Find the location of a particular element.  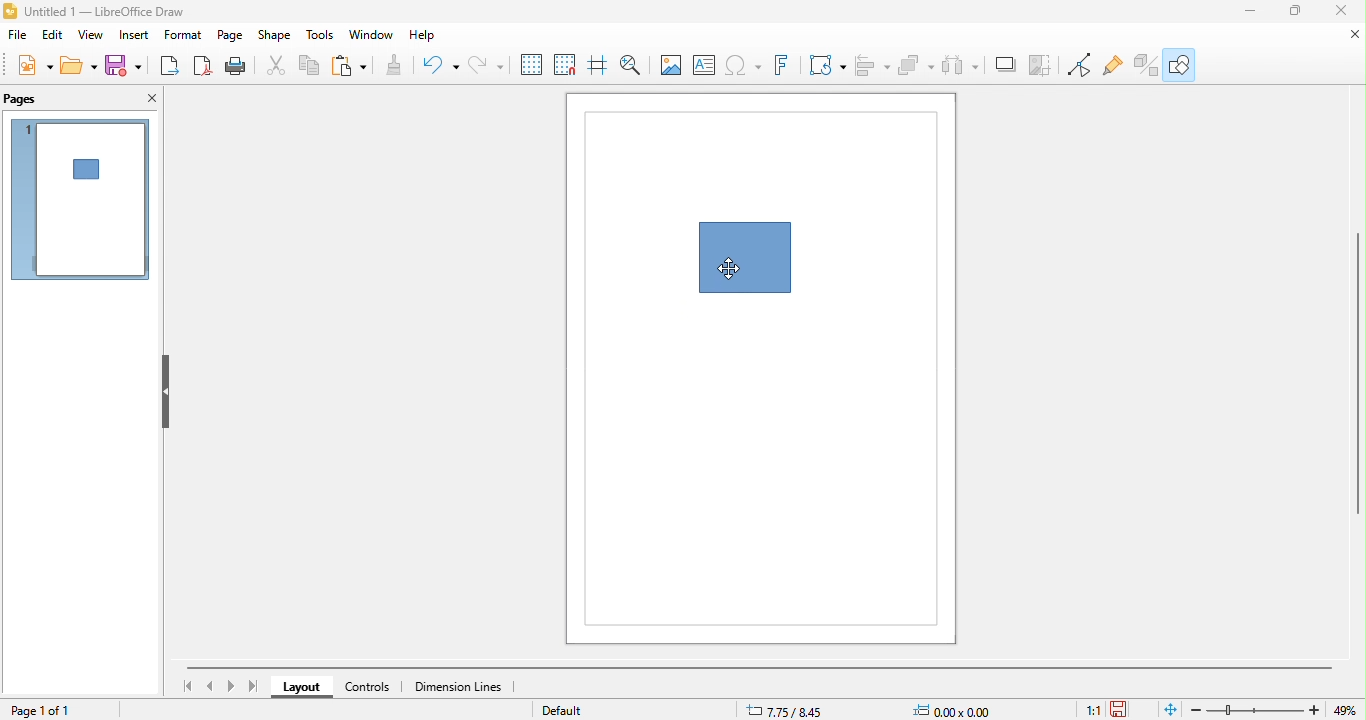

logo is located at coordinates (11, 11).